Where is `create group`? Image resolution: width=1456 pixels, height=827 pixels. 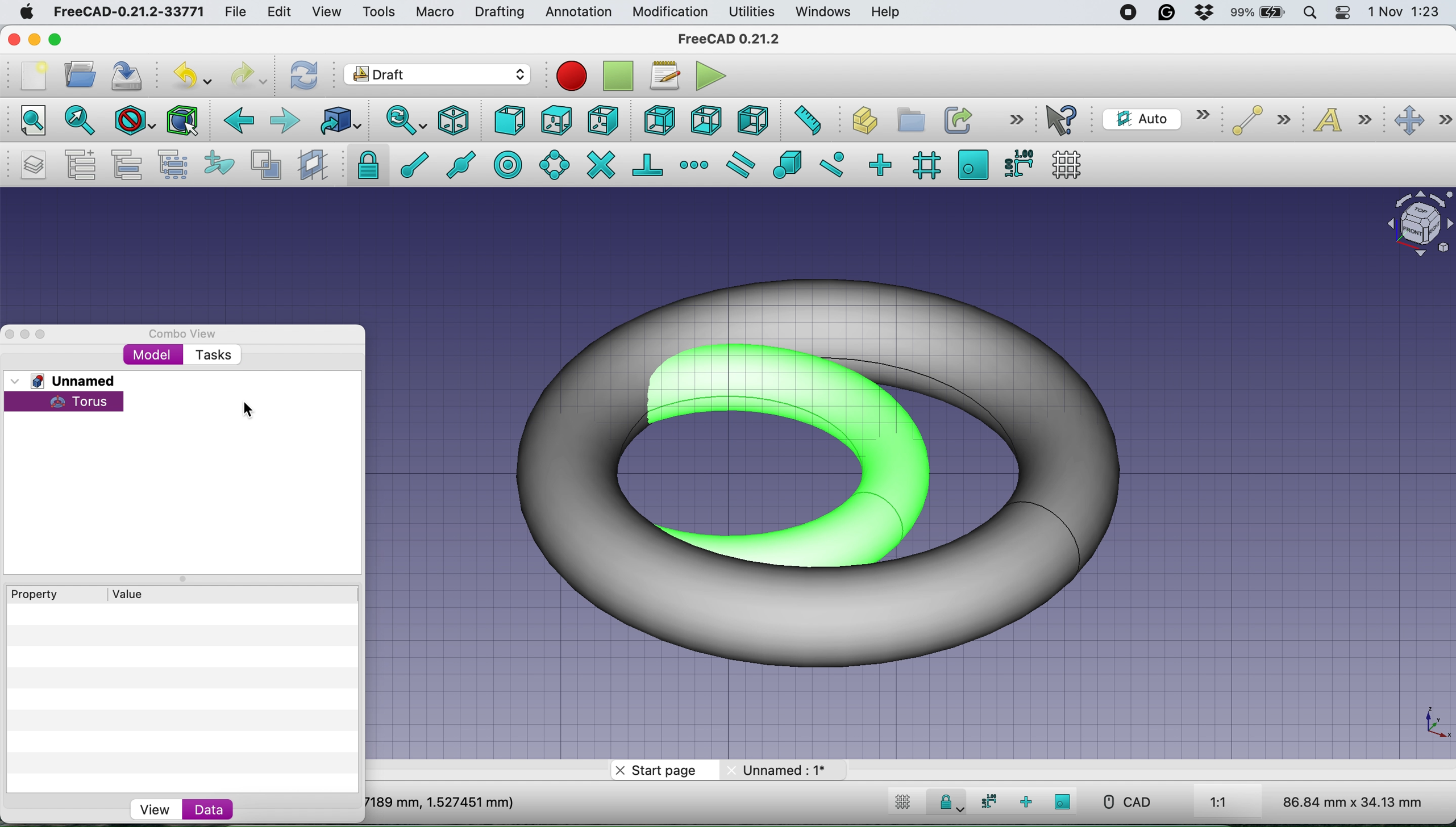
create group is located at coordinates (908, 118).